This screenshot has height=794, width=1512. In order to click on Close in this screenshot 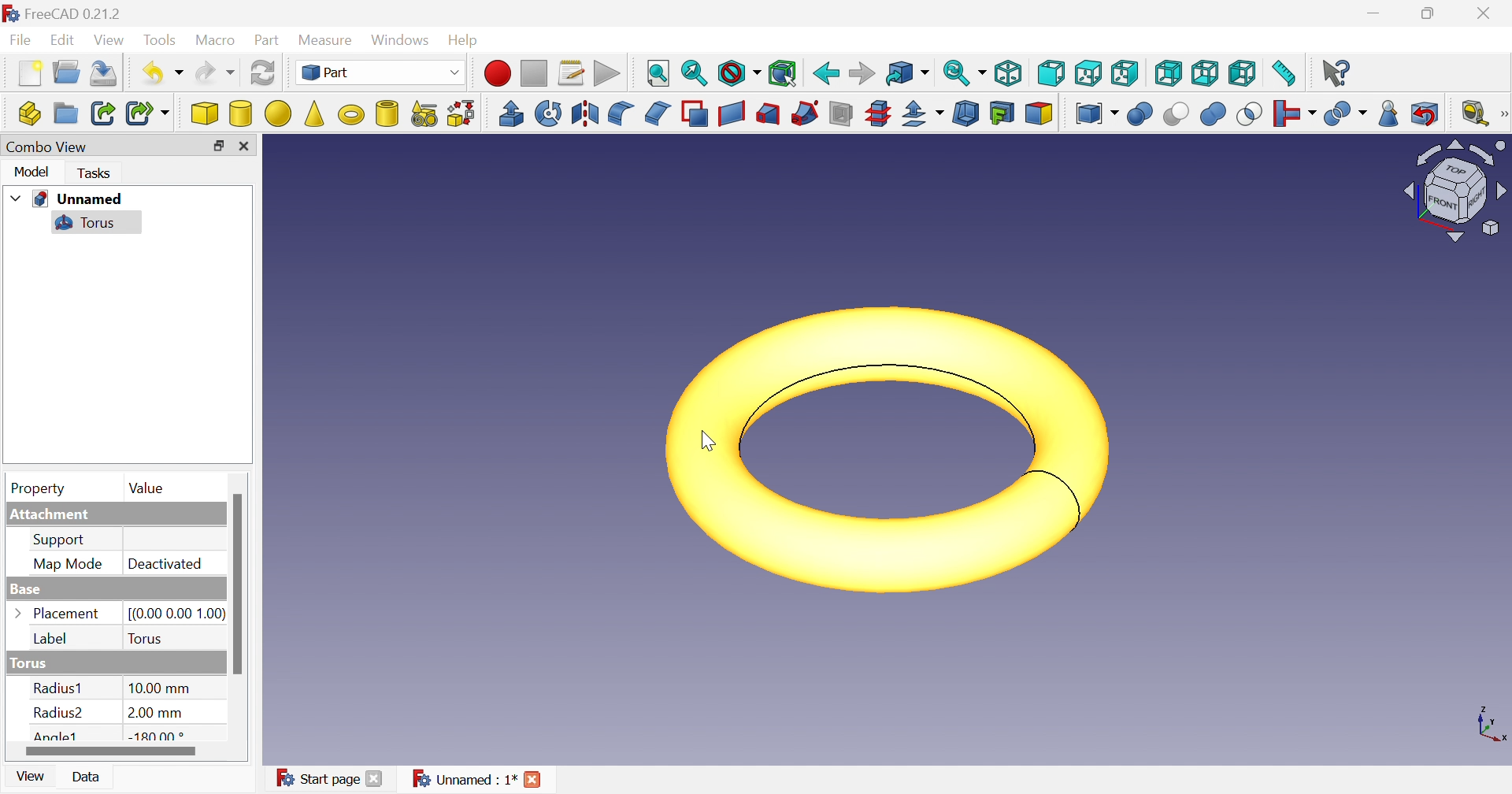, I will do `click(533, 779)`.